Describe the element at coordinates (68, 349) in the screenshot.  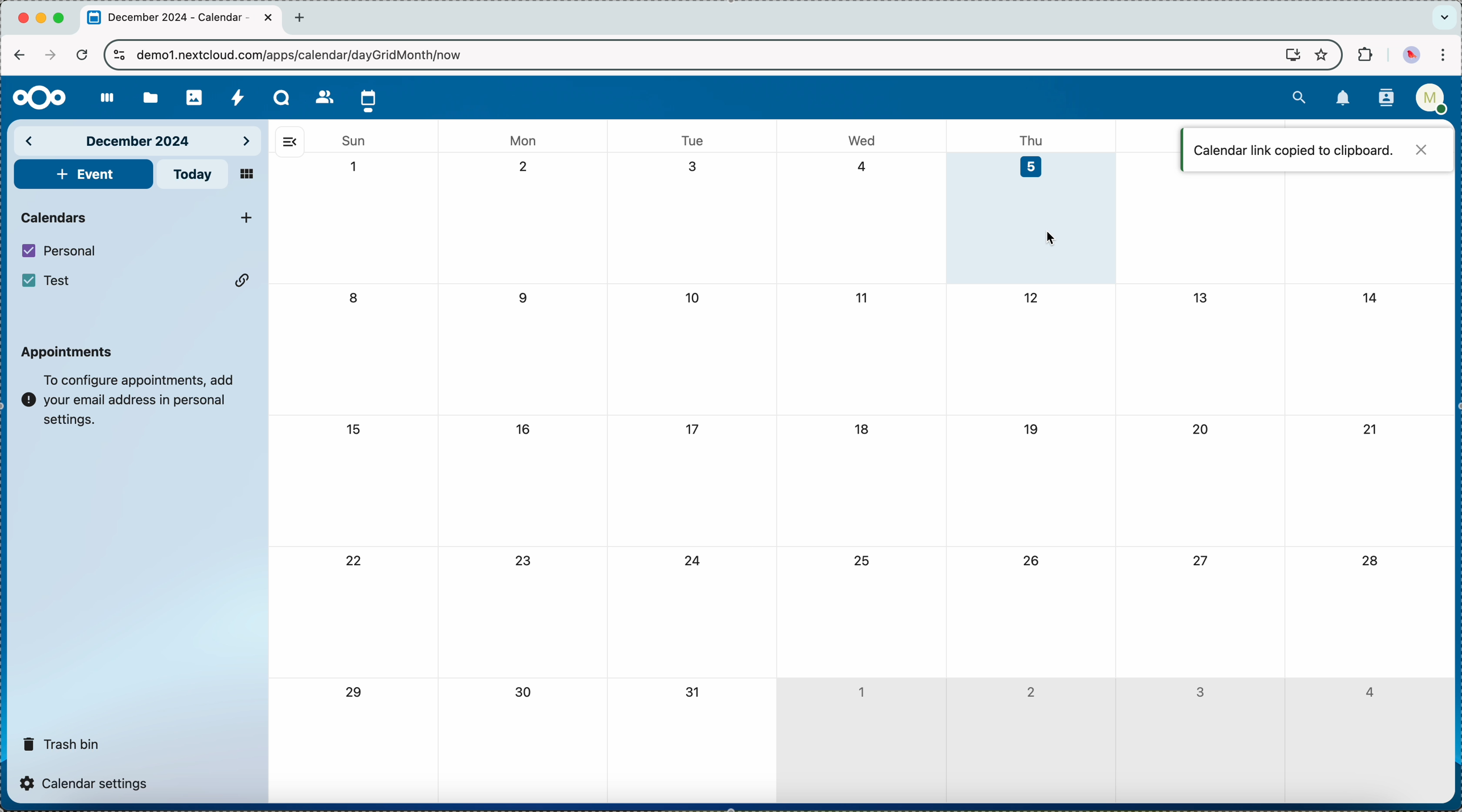
I see `appointments` at that location.